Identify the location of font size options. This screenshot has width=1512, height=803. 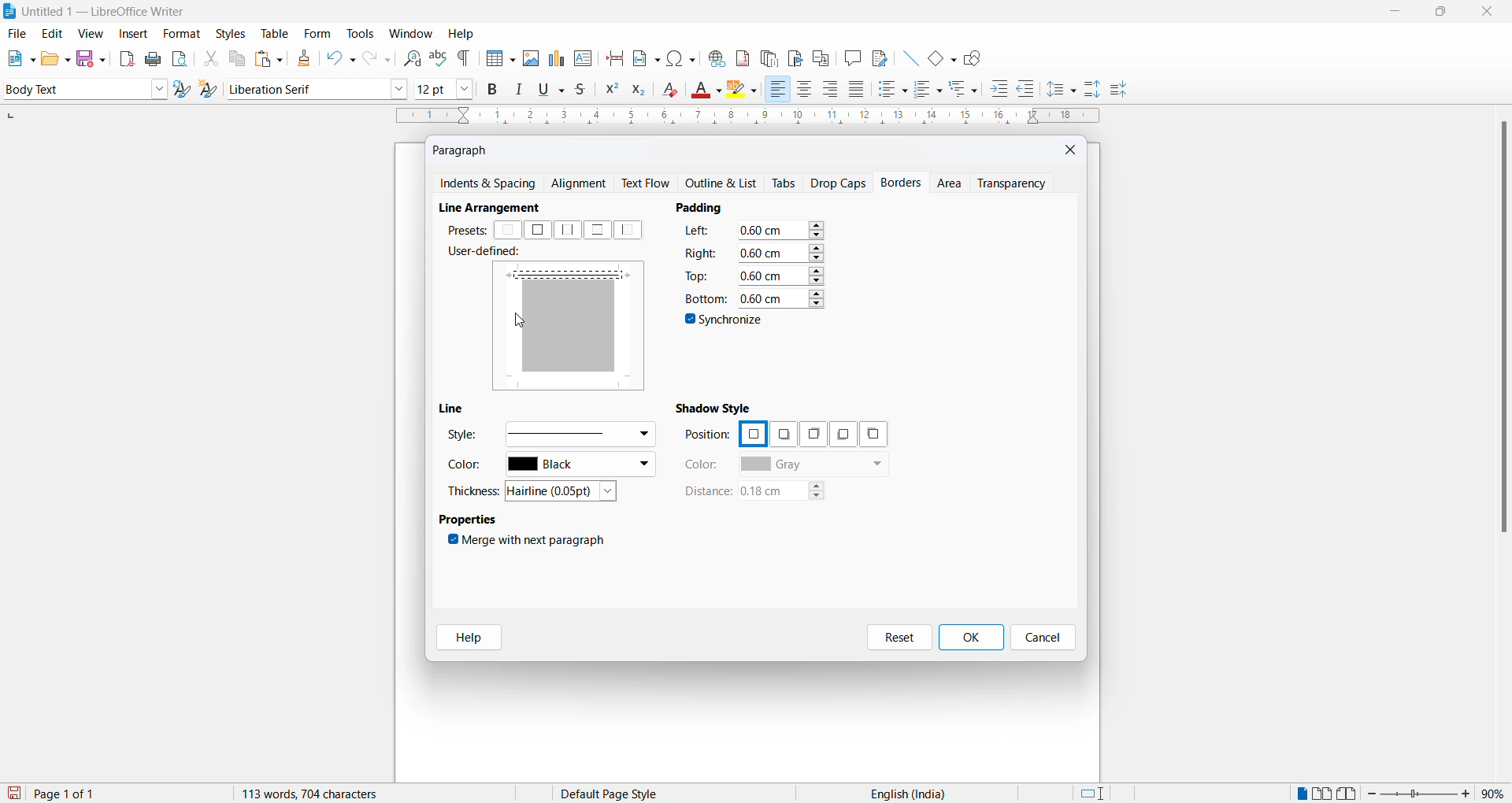
(465, 88).